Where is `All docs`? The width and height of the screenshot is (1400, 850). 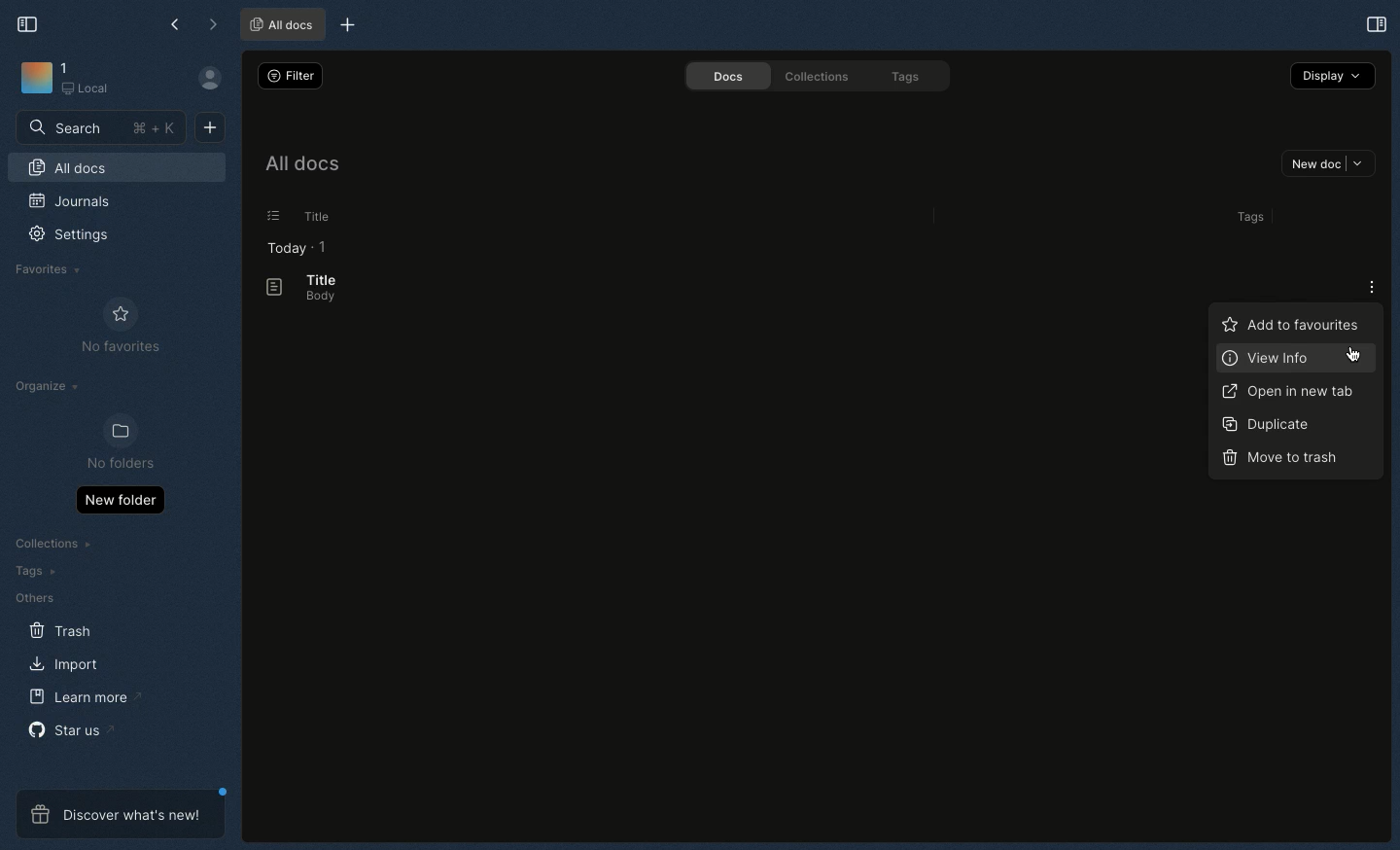
All docs is located at coordinates (300, 167).